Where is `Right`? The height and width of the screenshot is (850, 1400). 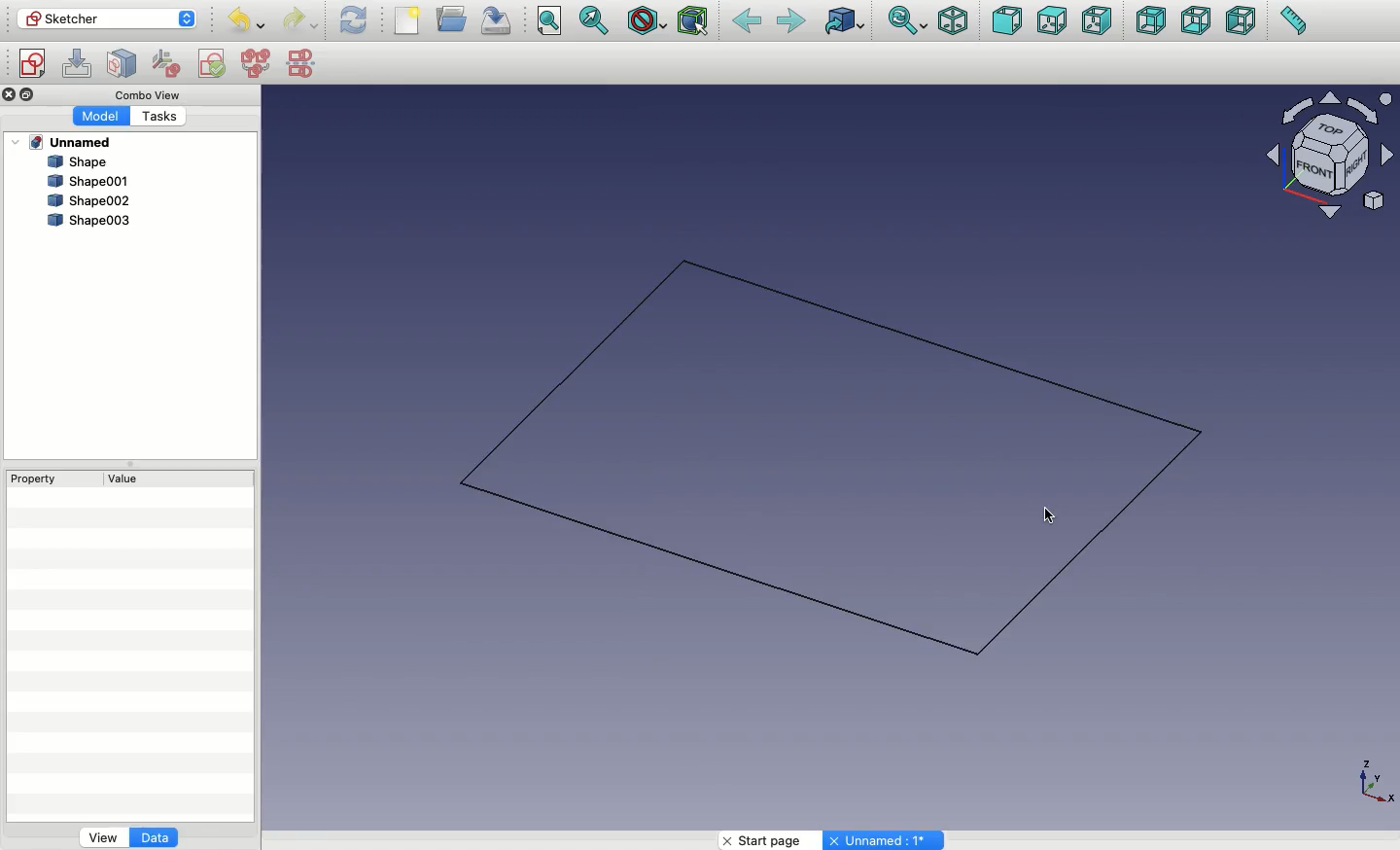 Right is located at coordinates (1099, 22).